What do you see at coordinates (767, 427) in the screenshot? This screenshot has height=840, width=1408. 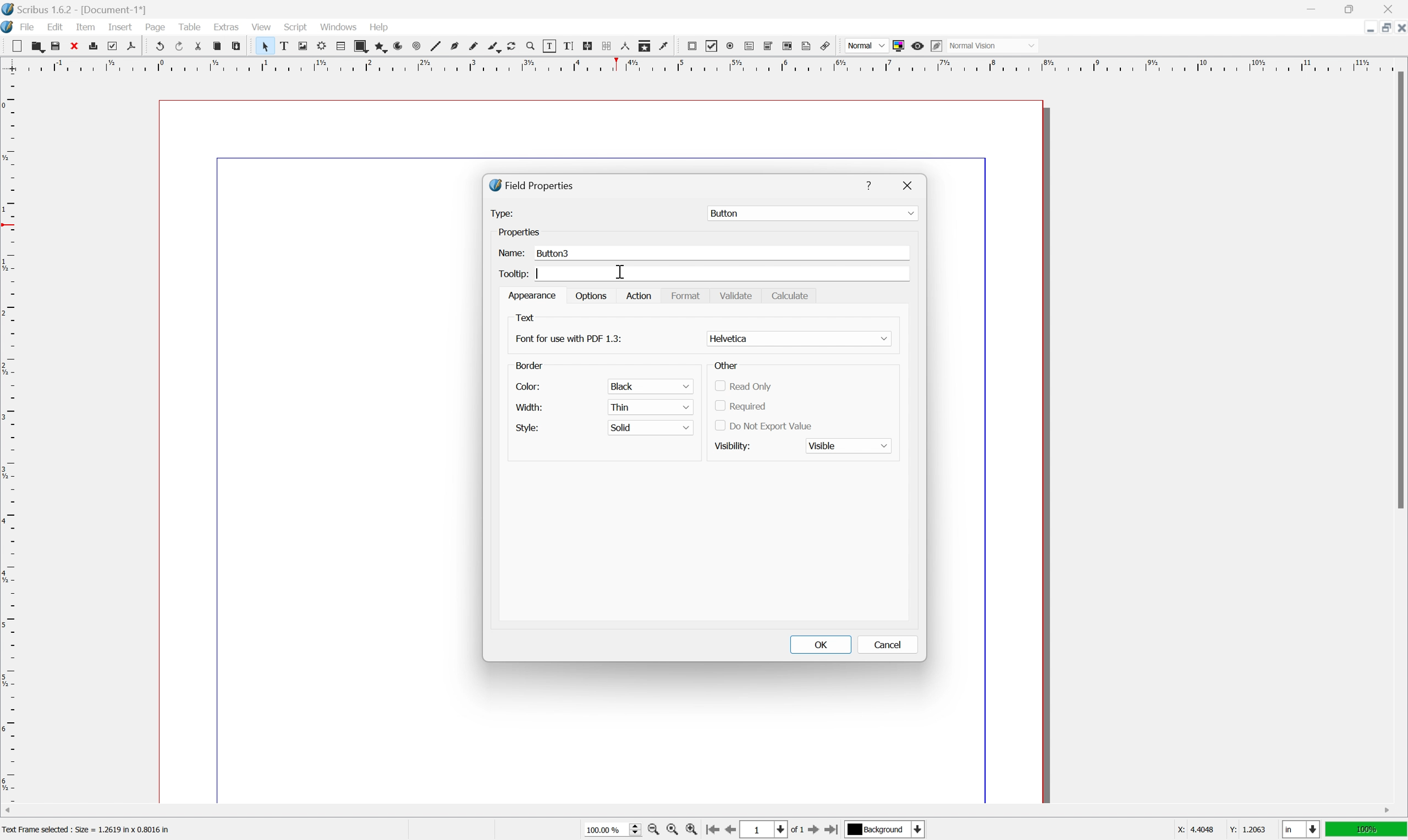 I see `Do not export value` at bounding box center [767, 427].